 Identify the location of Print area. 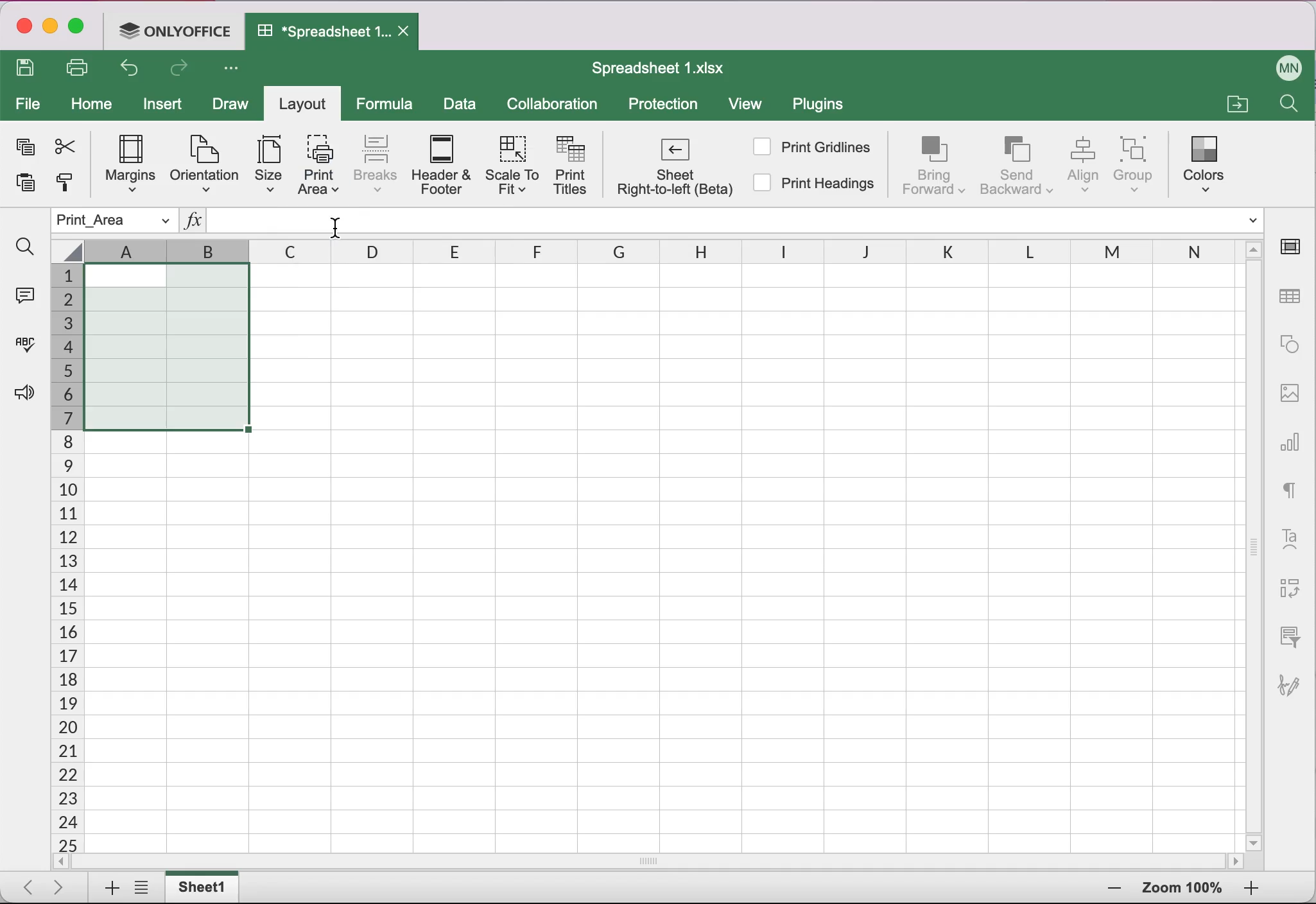
(114, 221).